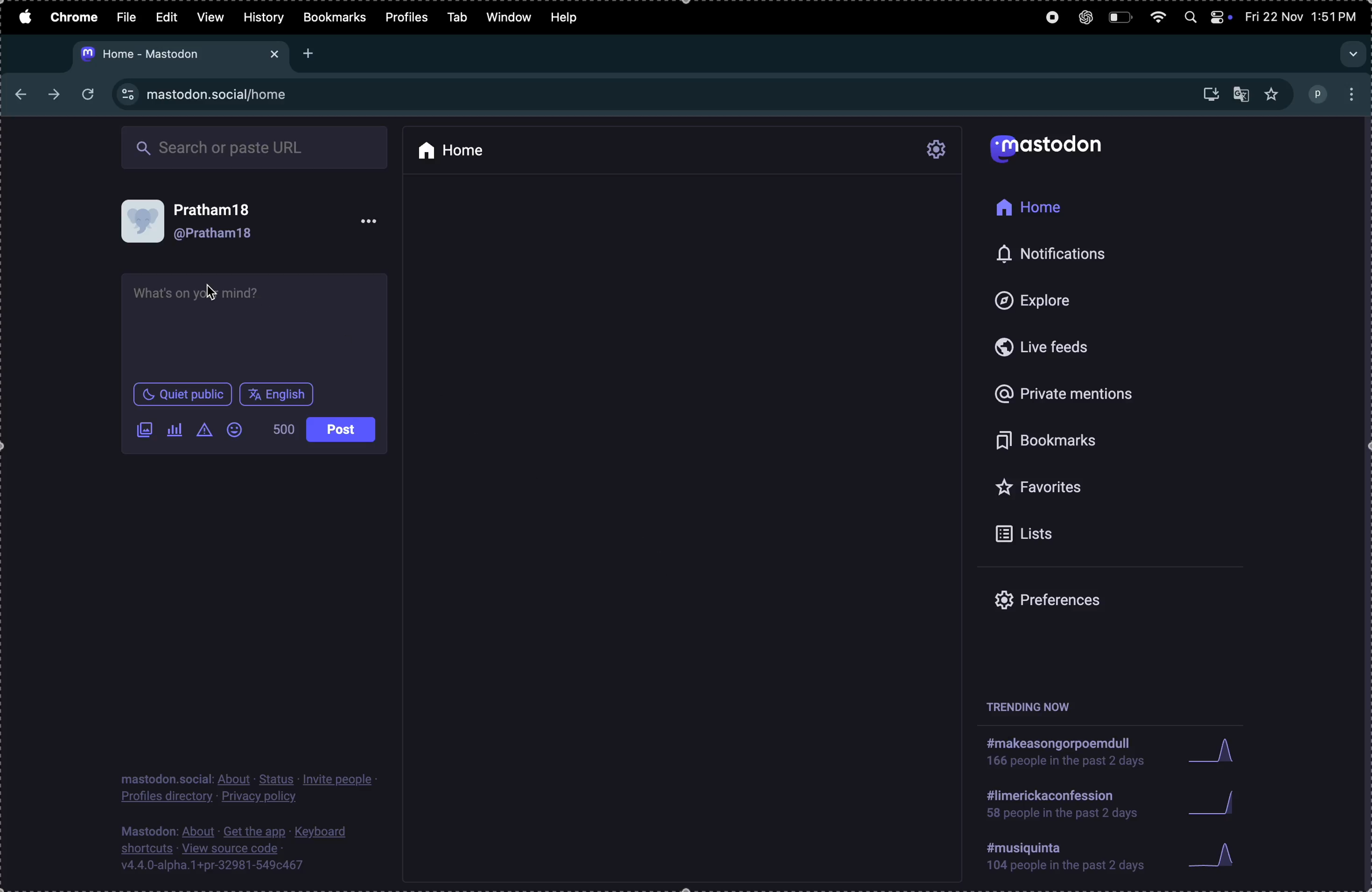 The height and width of the screenshot is (892, 1372). What do you see at coordinates (252, 326) in the screenshot?
I see `text box` at bounding box center [252, 326].